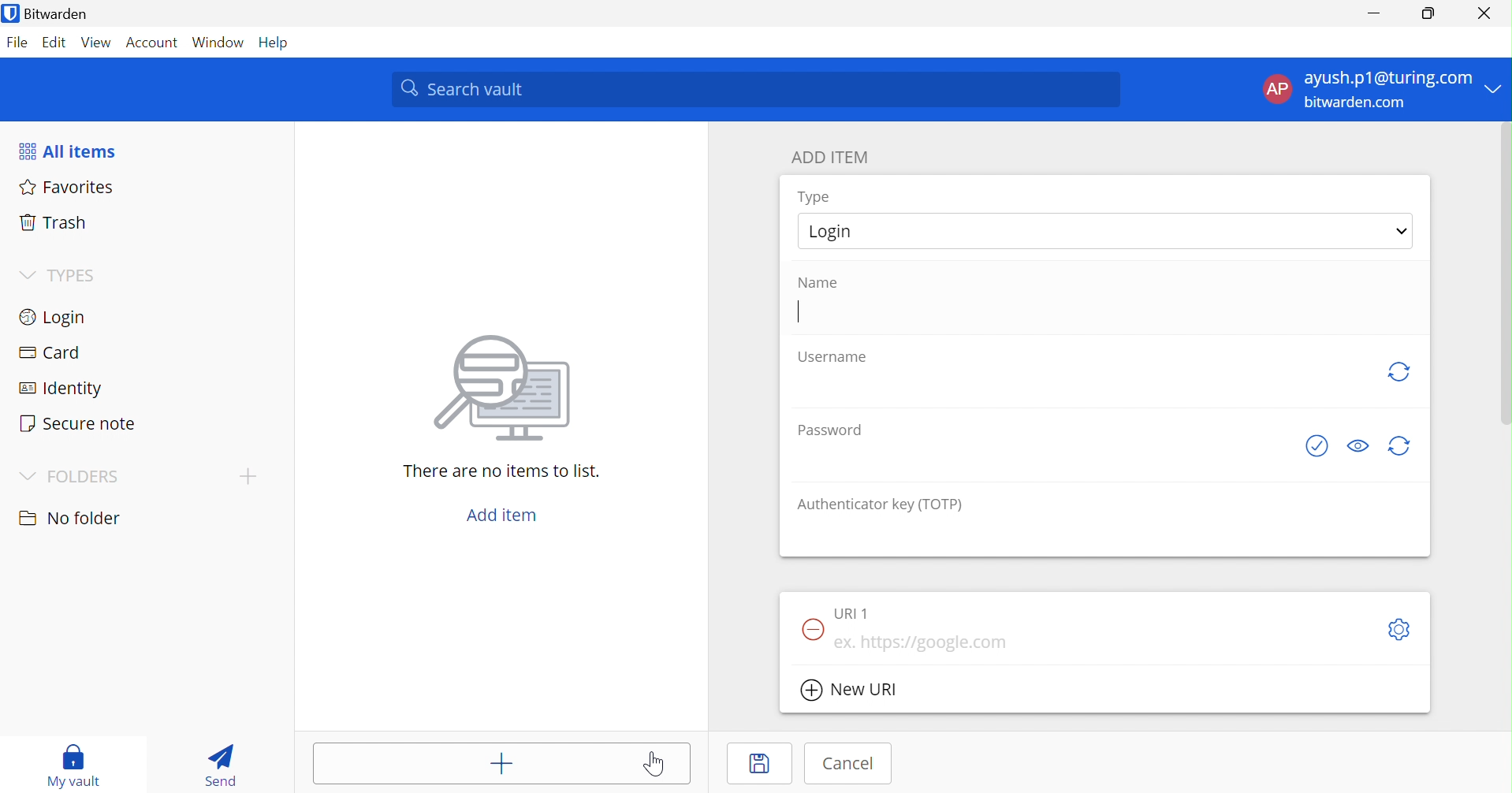  I want to click on Cancel, so click(849, 764).